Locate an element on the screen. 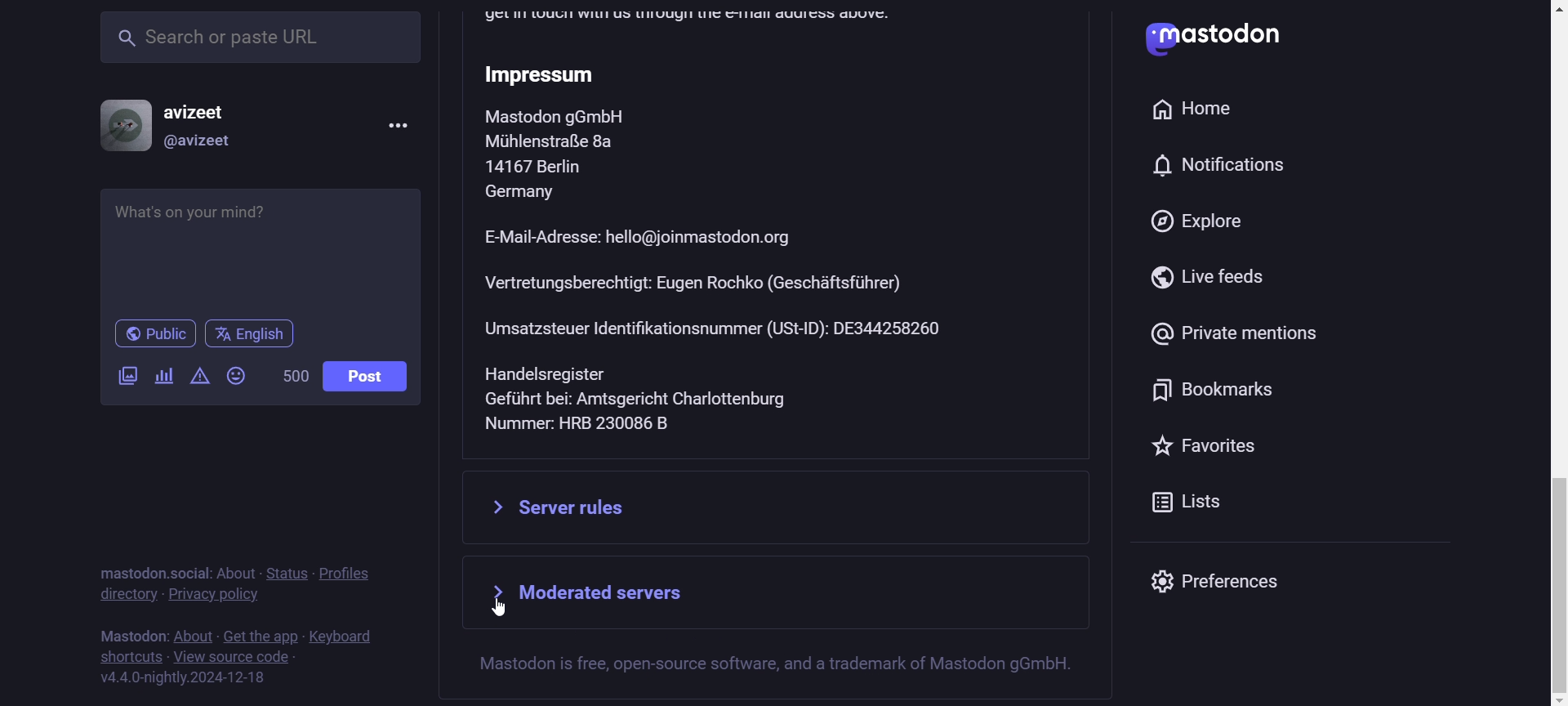 This screenshot has width=1568, height=706. post is located at coordinates (364, 377).